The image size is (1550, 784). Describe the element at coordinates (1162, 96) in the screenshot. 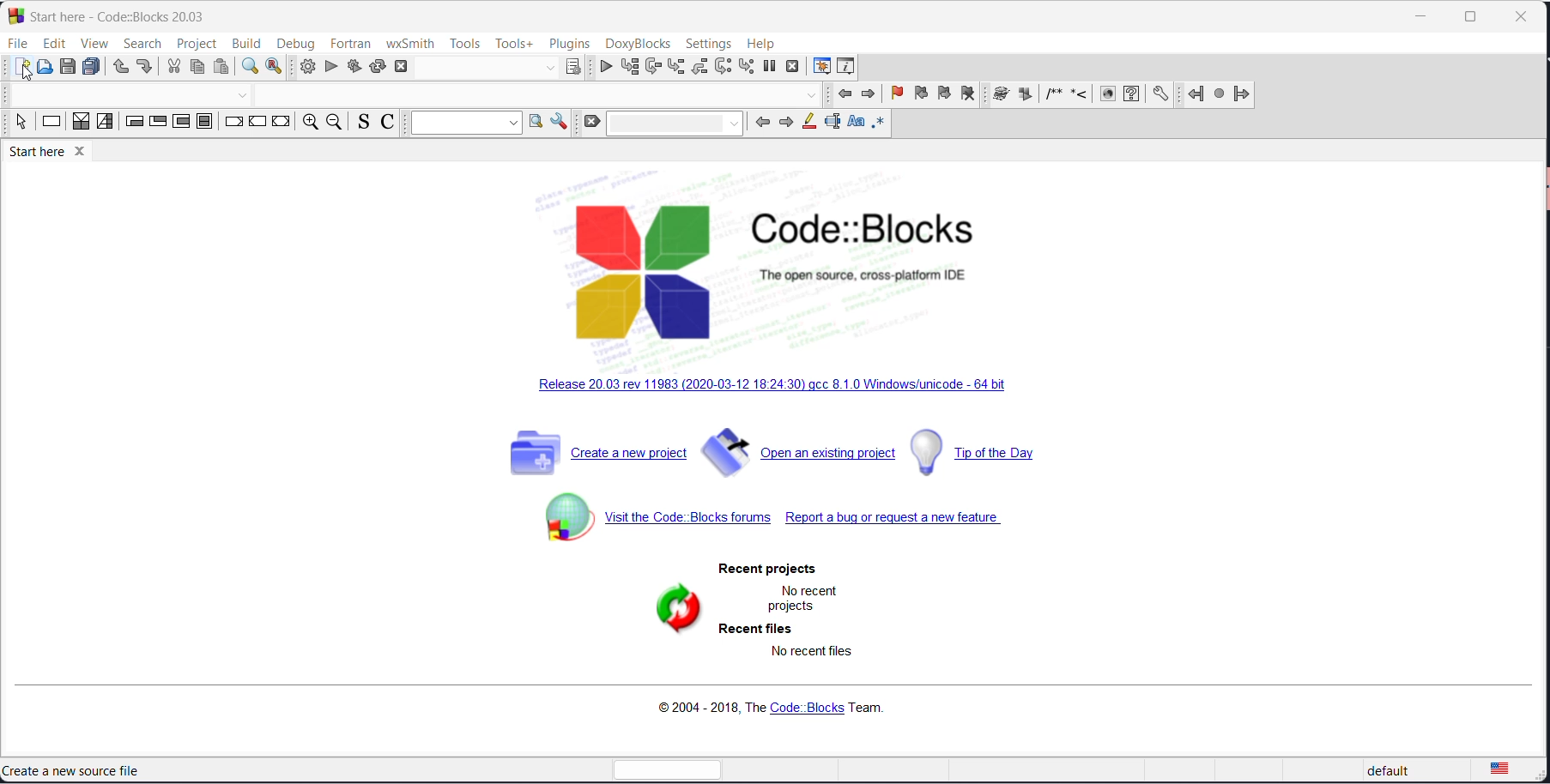

I see `Preference` at that location.